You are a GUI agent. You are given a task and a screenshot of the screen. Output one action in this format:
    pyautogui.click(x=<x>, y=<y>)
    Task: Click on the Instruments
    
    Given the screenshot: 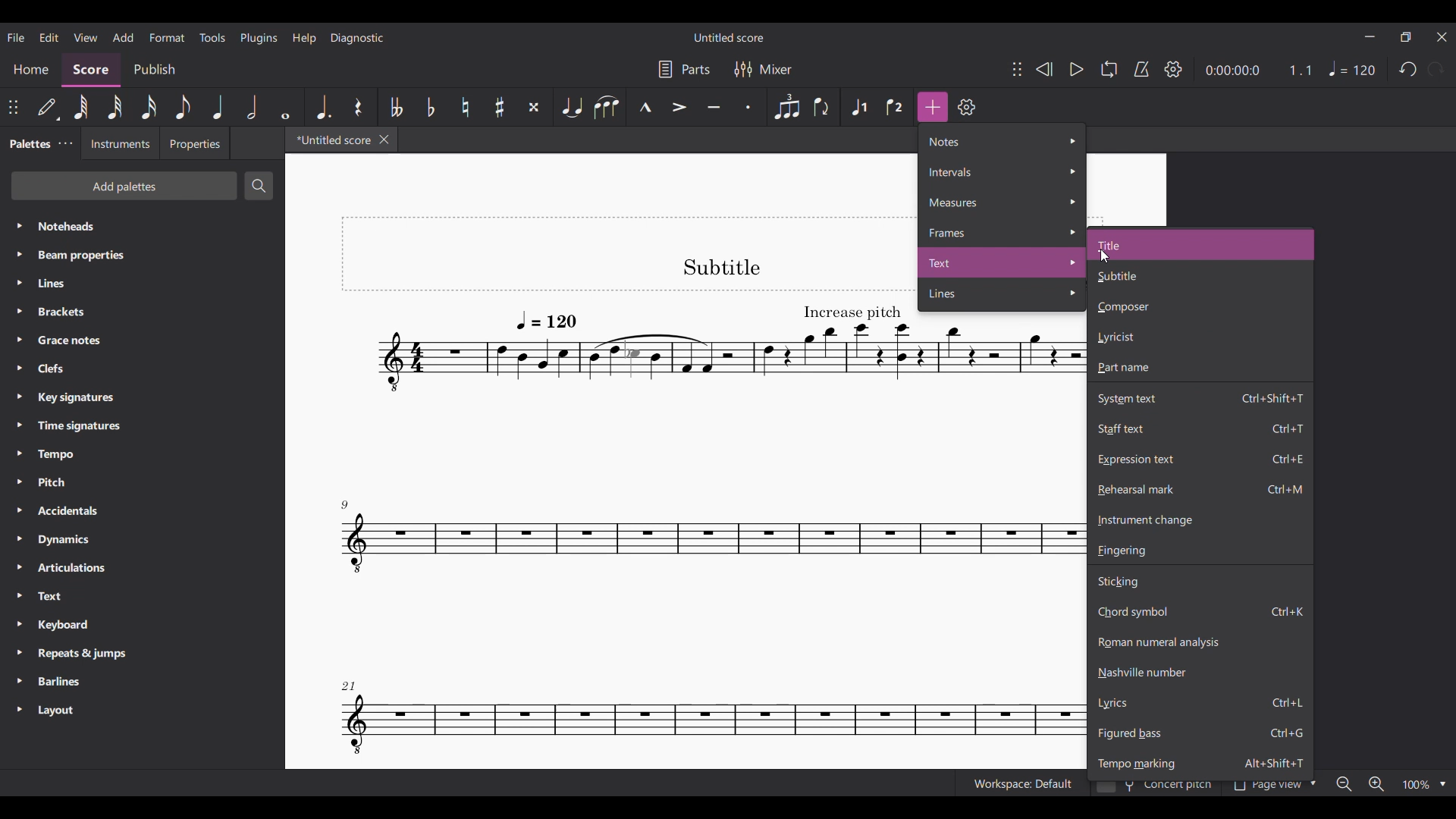 What is the action you would take?
    pyautogui.click(x=119, y=143)
    